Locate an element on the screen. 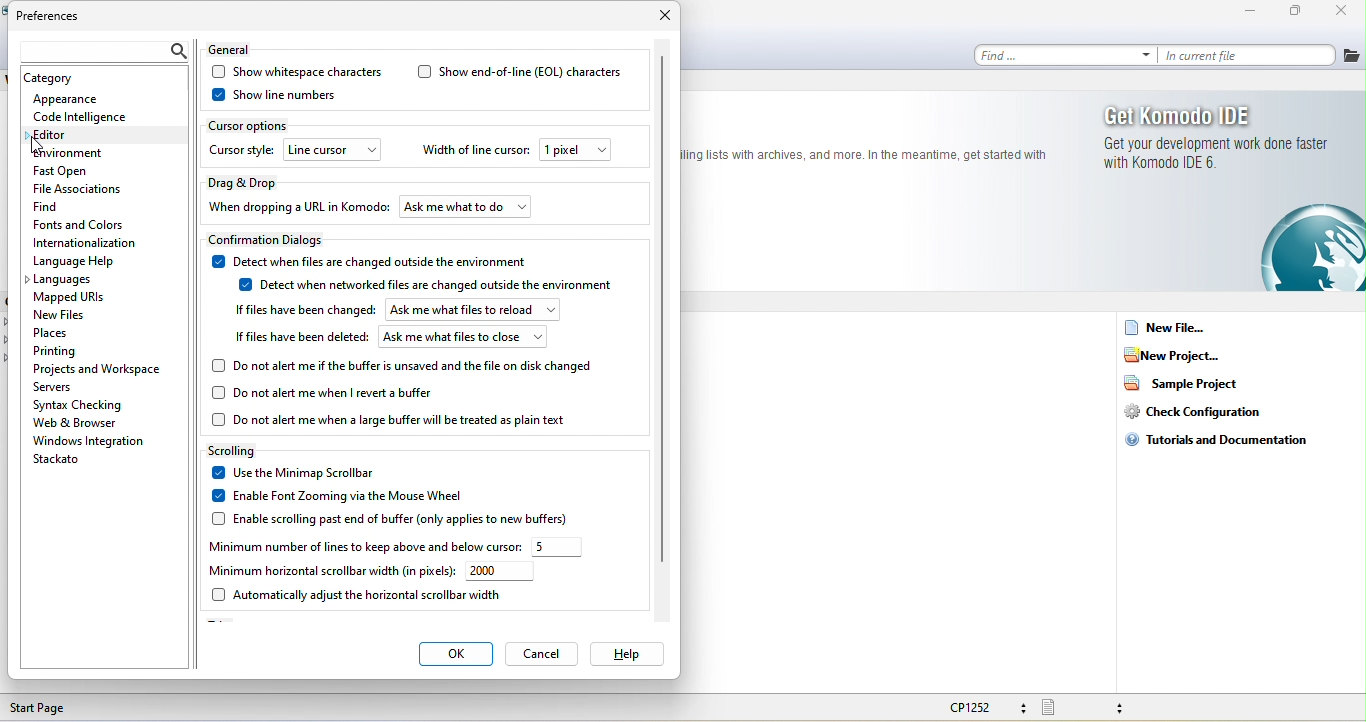 The image size is (1366, 722). ok is located at coordinates (455, 655).